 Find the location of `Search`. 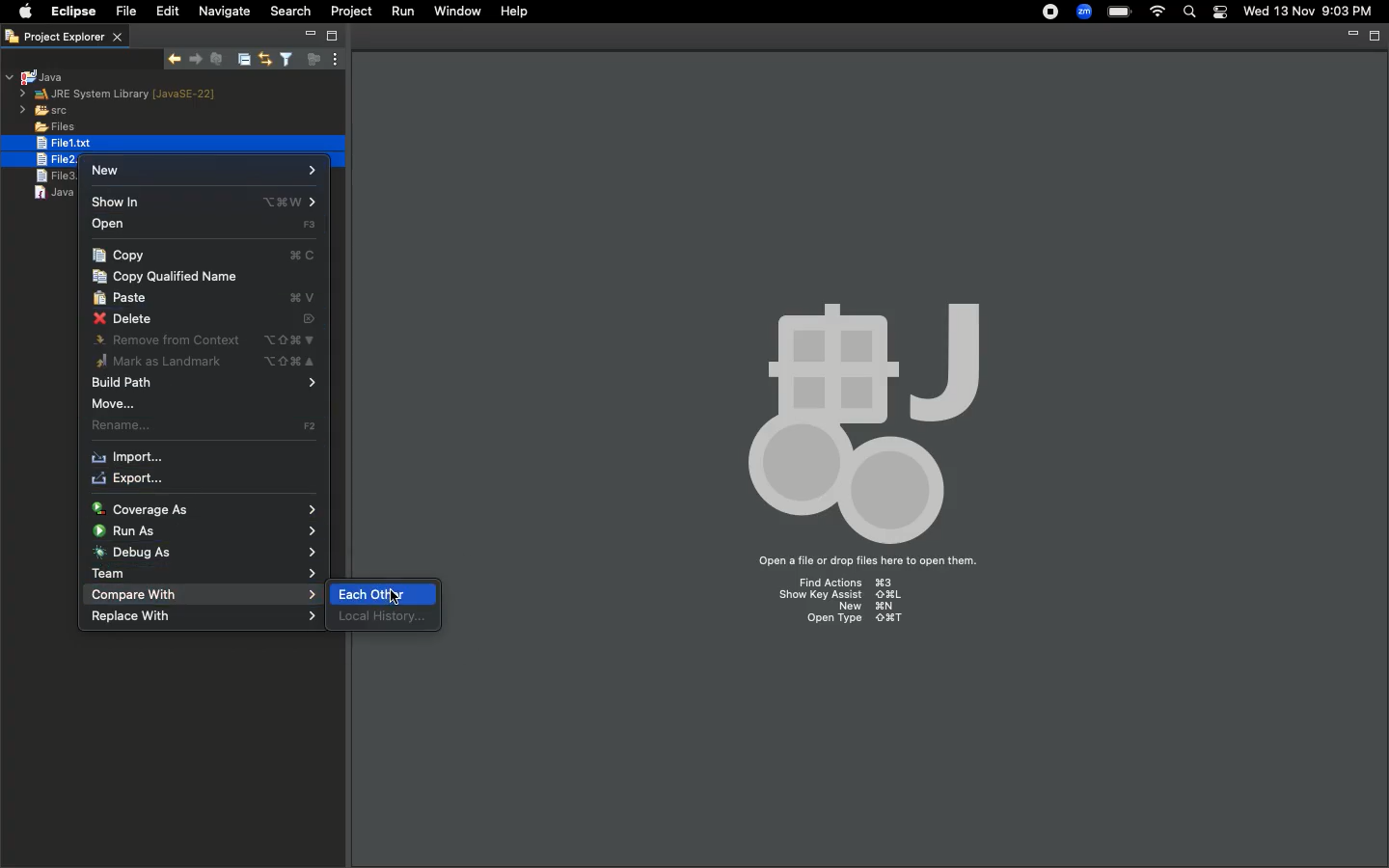

Search is located at coordinates (1189, 13).